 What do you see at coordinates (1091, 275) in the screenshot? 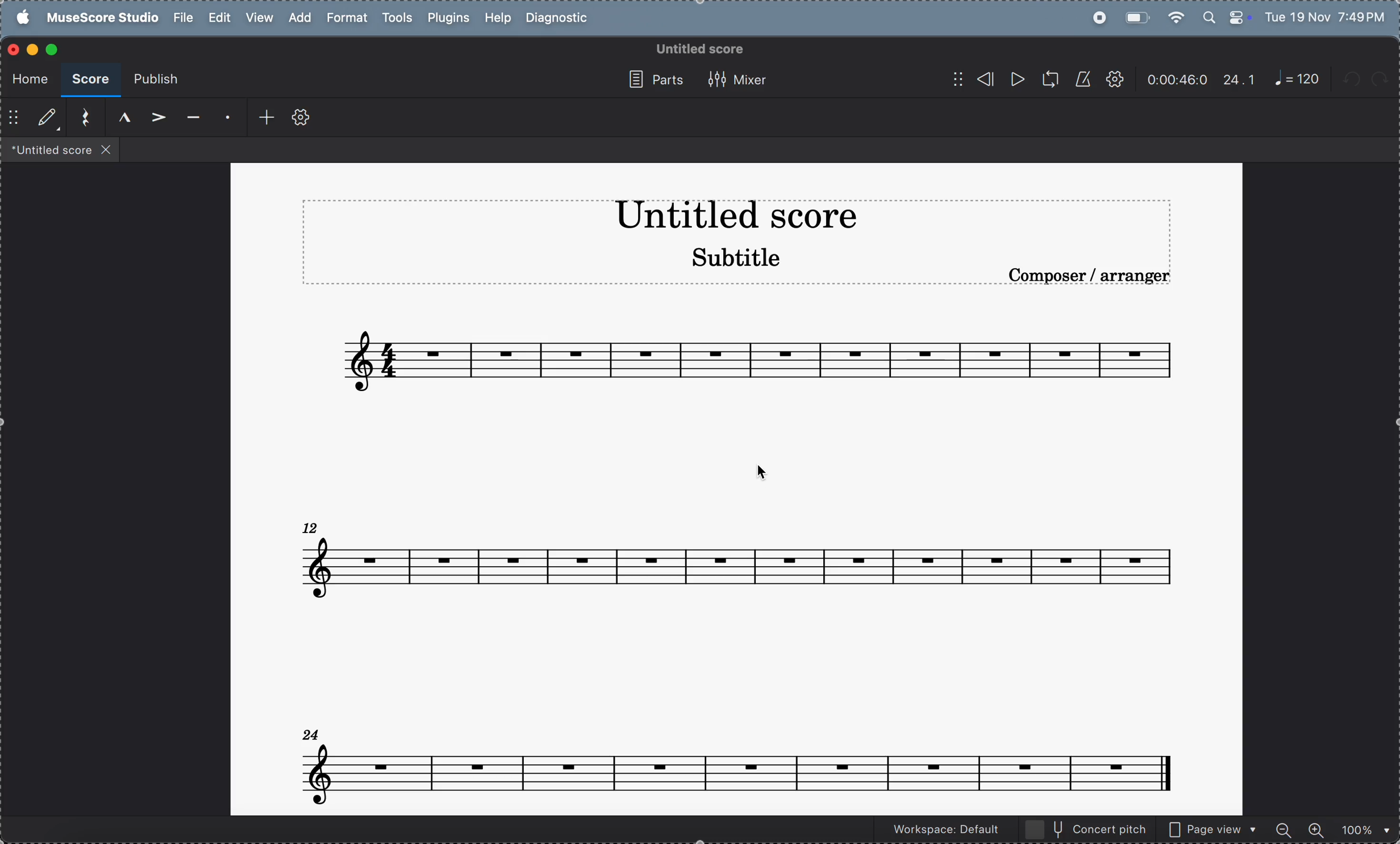
I see `composer` at bounding box center [1091, 275].